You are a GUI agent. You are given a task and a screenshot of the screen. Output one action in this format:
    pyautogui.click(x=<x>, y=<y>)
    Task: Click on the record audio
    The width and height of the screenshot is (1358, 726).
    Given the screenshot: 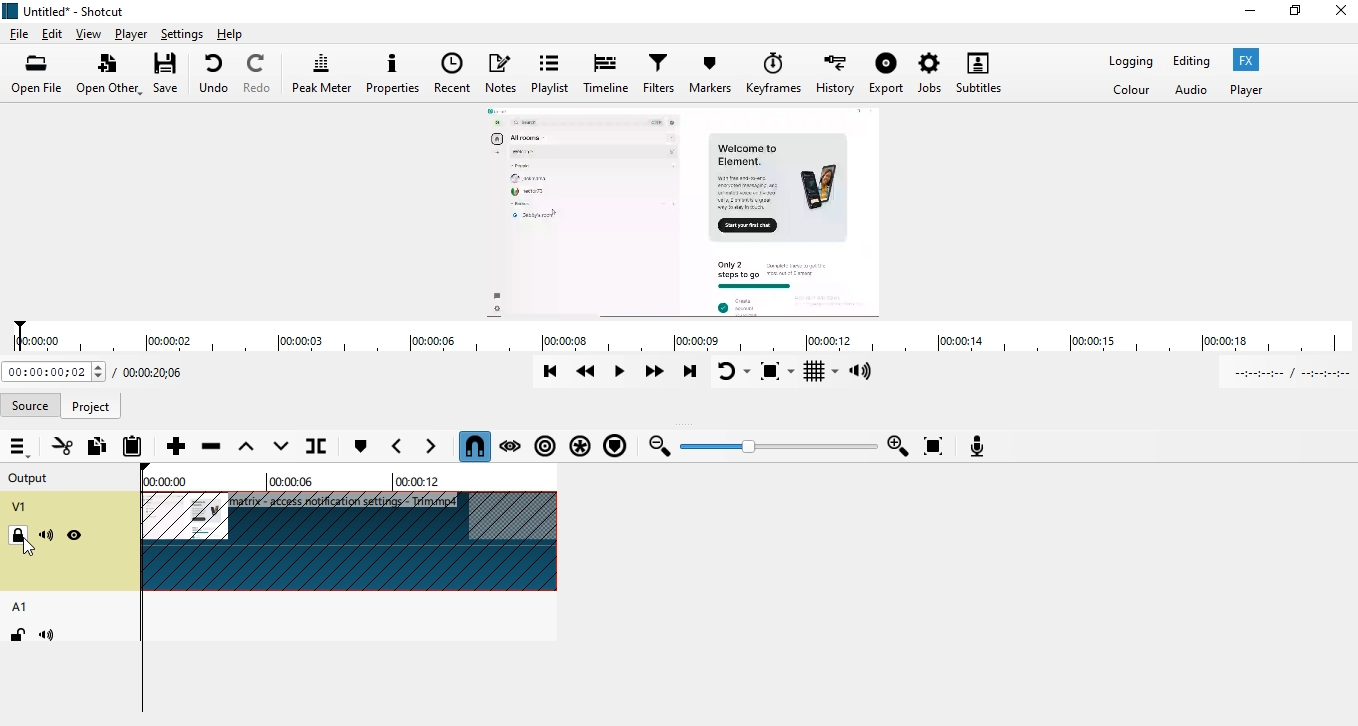 What is the action you would take?
    pyautogui.click(x=978, y=445)
    